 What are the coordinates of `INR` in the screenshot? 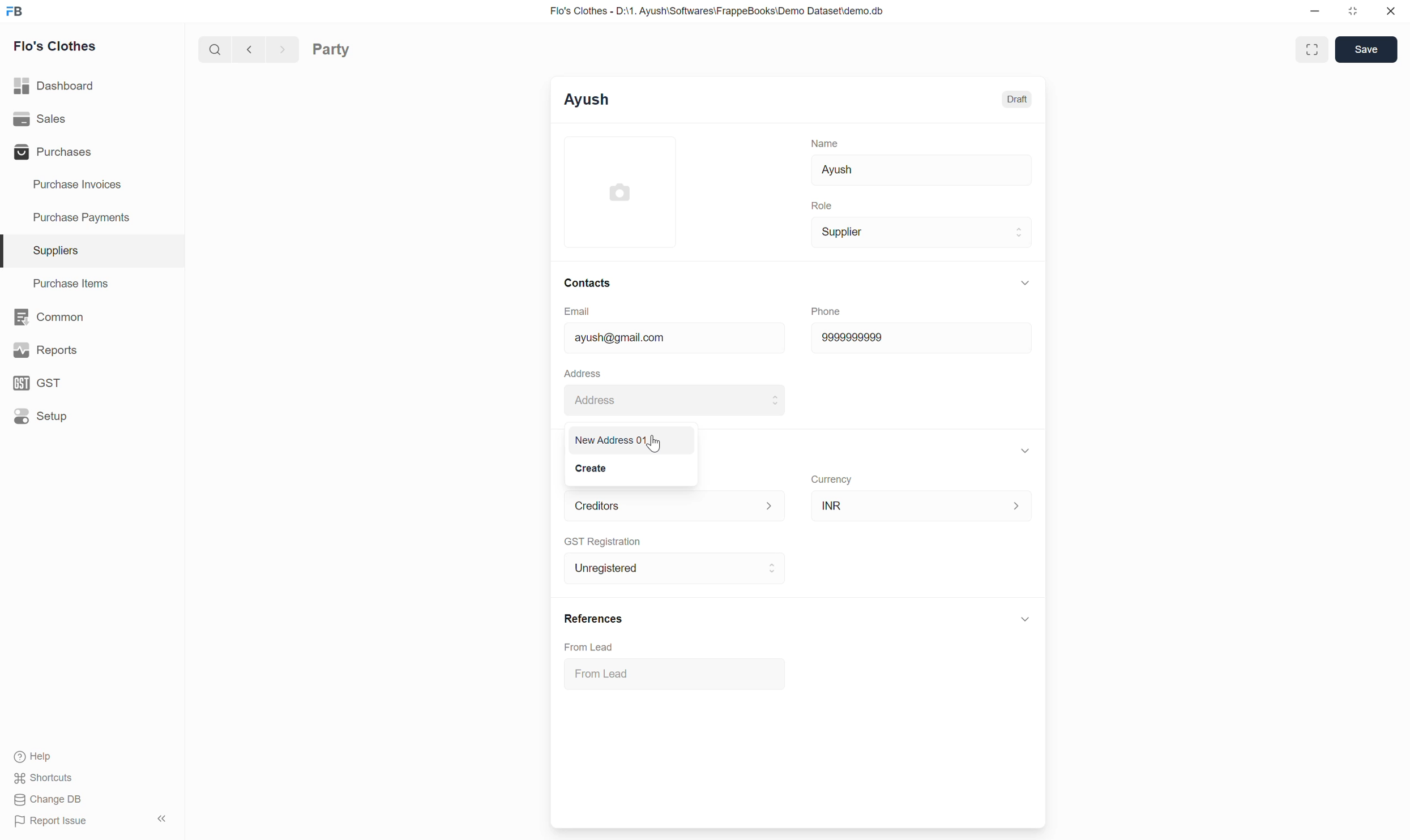 It's located at (922, 505).